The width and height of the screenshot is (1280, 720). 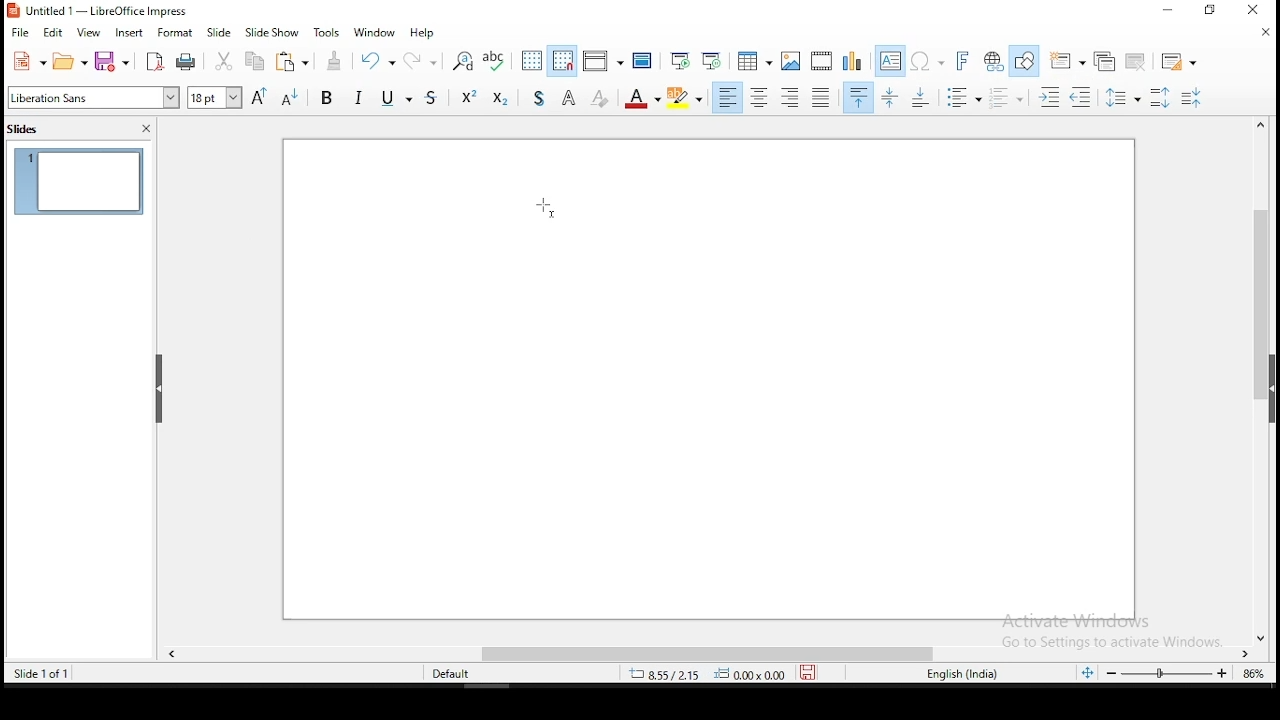 What do you see at coordinates (69, 63) in the screenshot?
I see `open` at bounding box center [69, 63].